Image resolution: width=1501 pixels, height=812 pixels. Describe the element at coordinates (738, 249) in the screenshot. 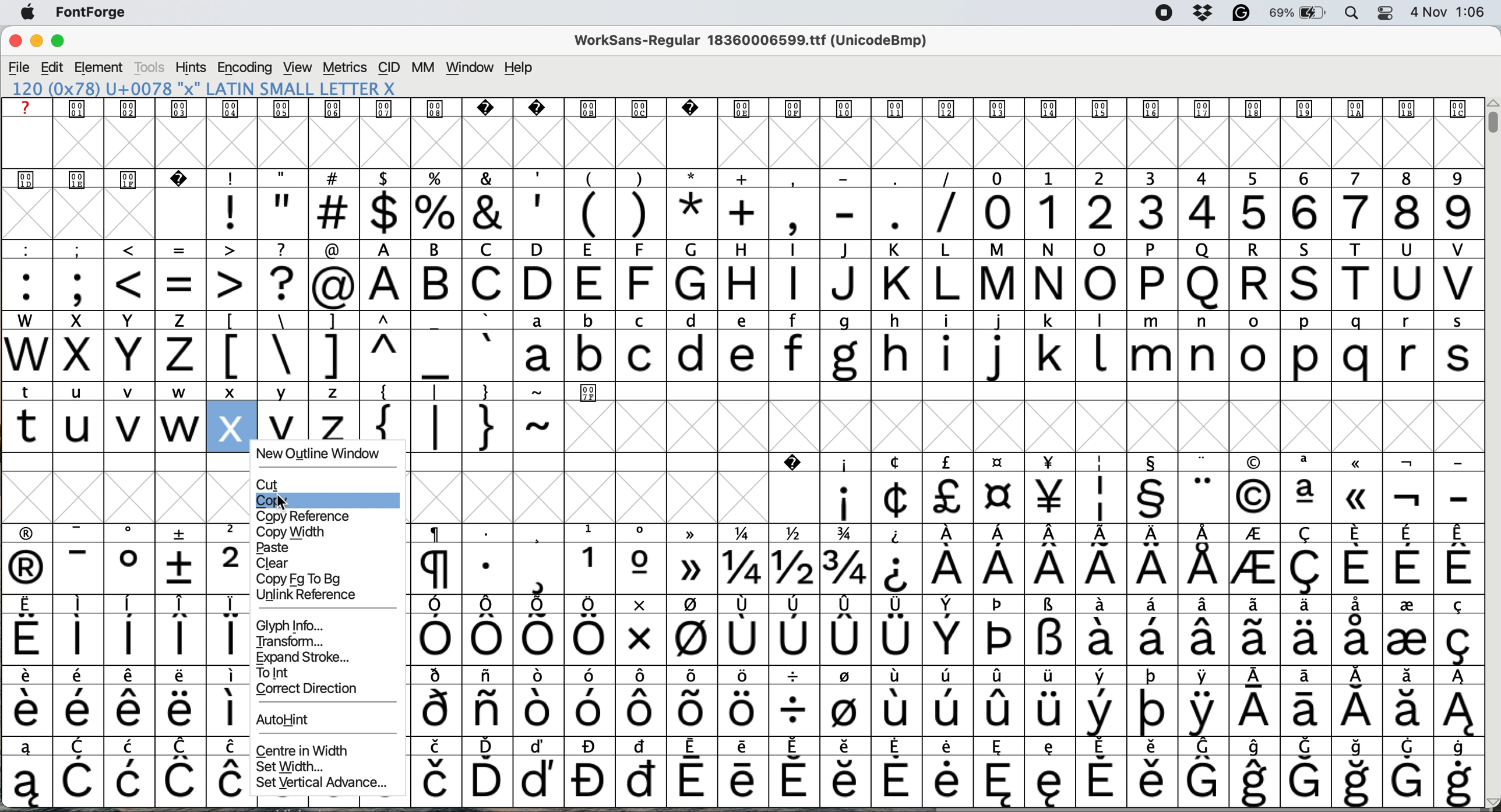

I see `special characters and text` at that location.